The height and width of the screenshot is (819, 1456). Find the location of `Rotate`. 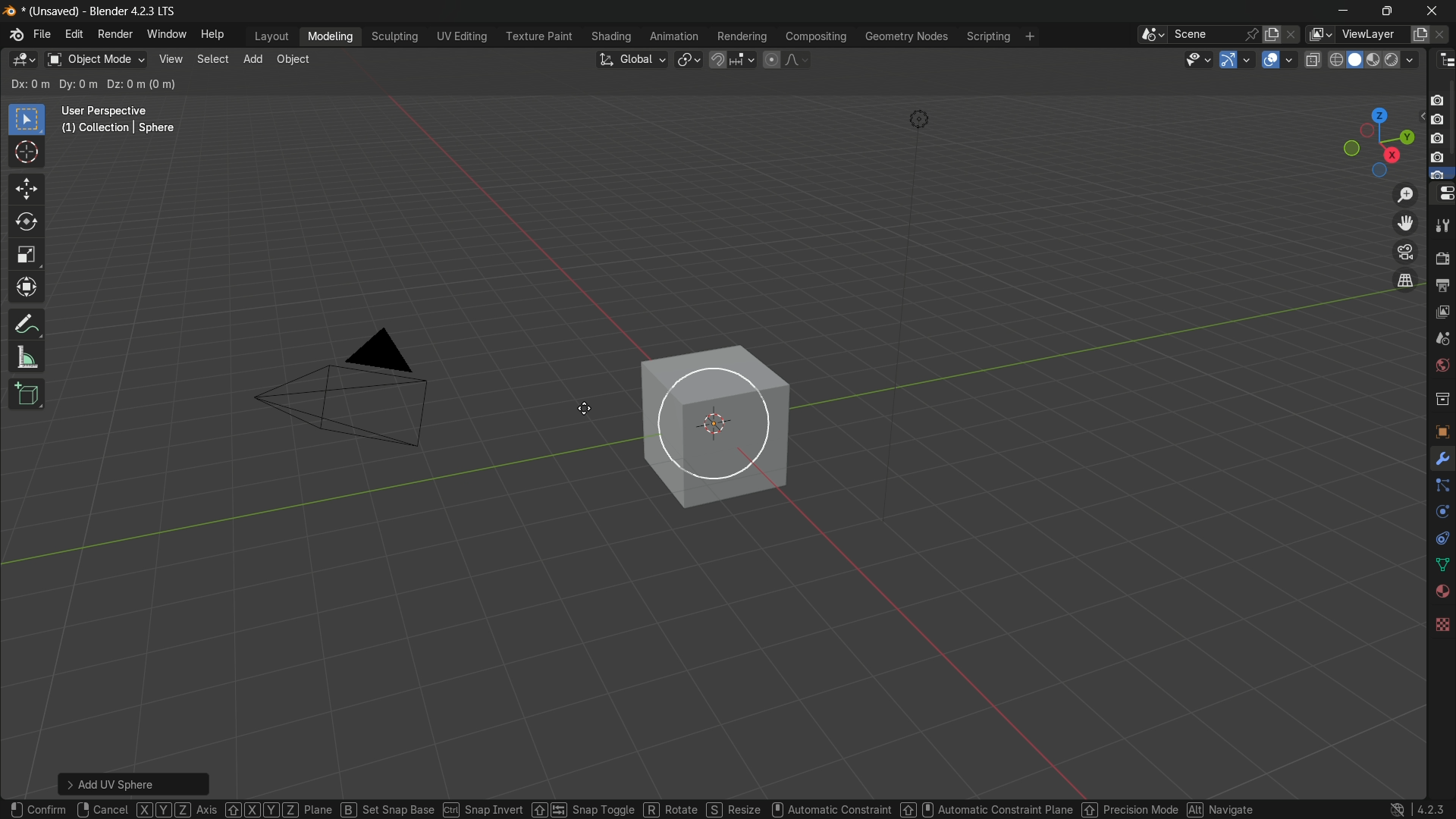

Rotate is located at coordinates (667, 809).